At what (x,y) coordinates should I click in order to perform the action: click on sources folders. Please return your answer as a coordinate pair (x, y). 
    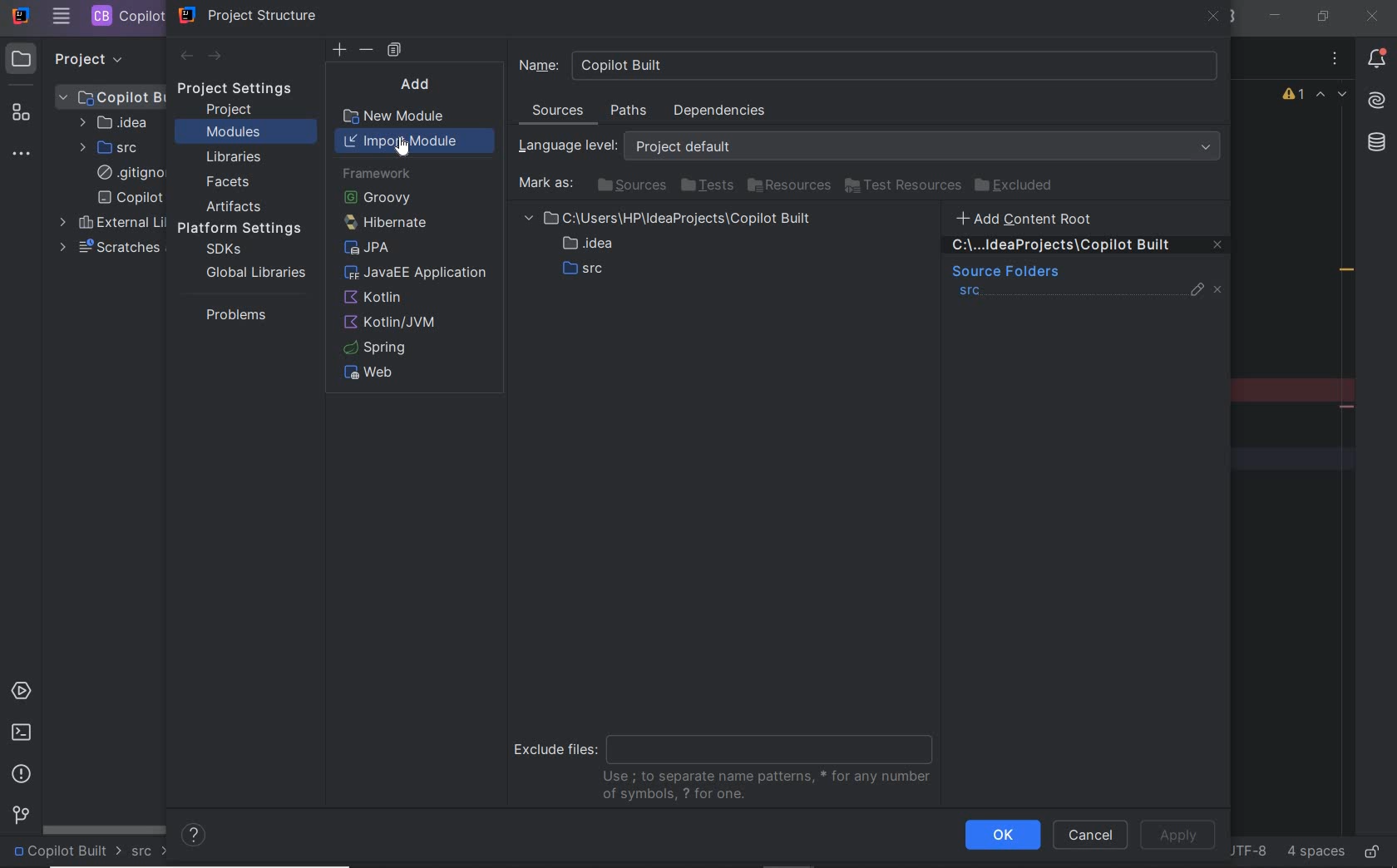
    Looking at the image, I should click on (1004, 273).